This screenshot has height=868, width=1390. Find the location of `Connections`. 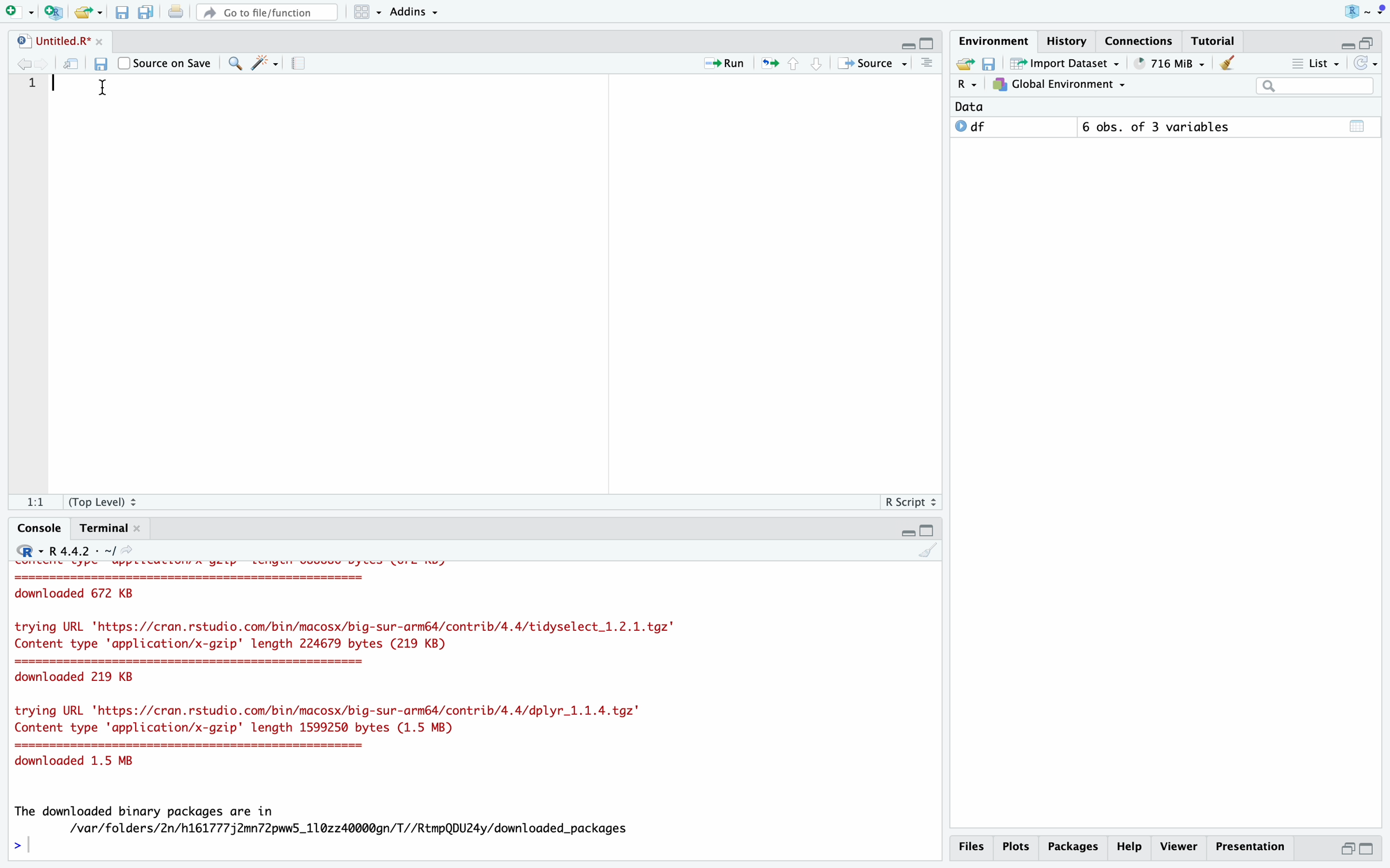

Connections is located at coordinates (1139, 41).